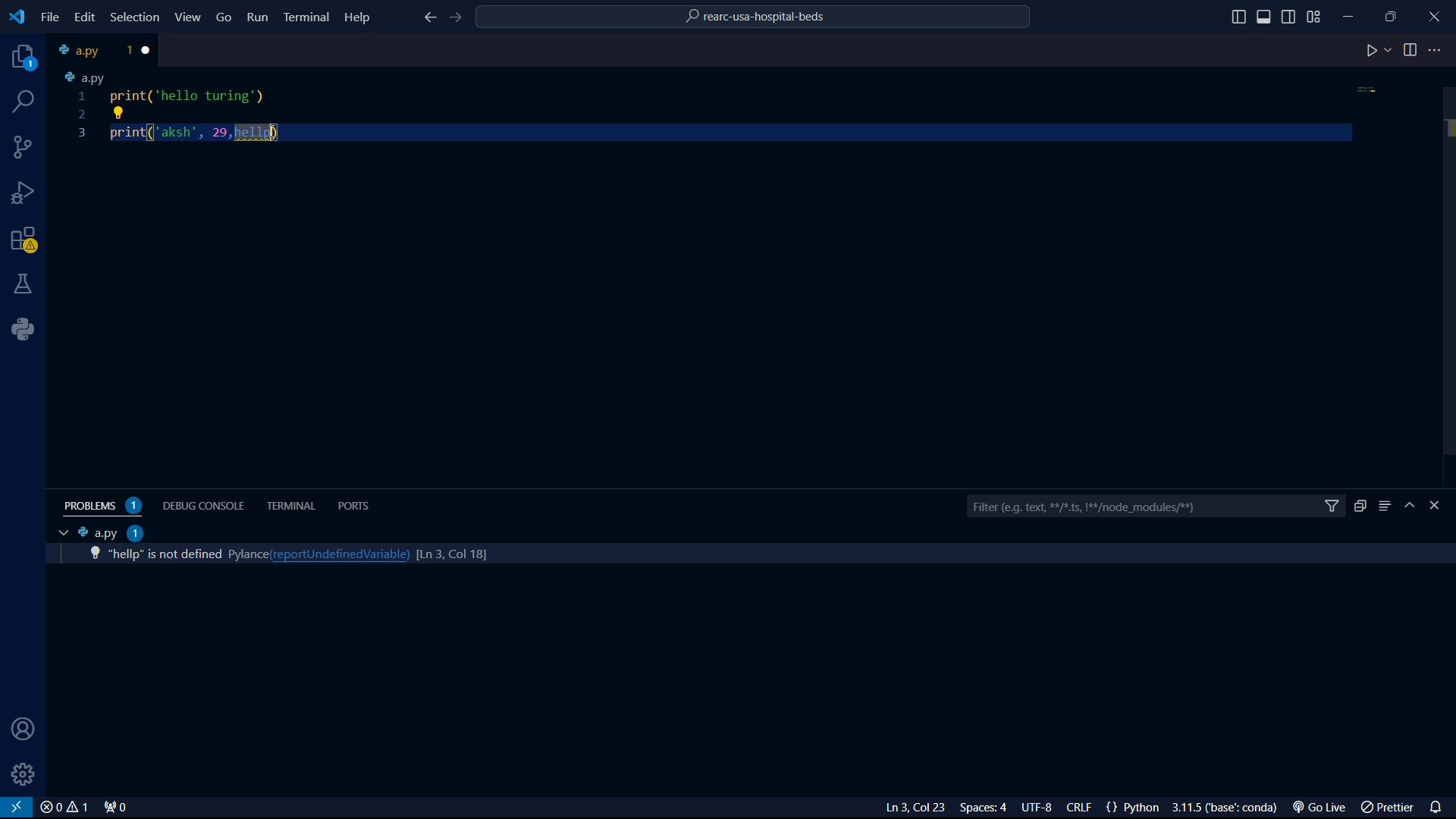 The height and width of the screenshot is (819, 1456). Describe the element at coordinates (1393, 16) in the screenshot. I see `maximize` at that location.